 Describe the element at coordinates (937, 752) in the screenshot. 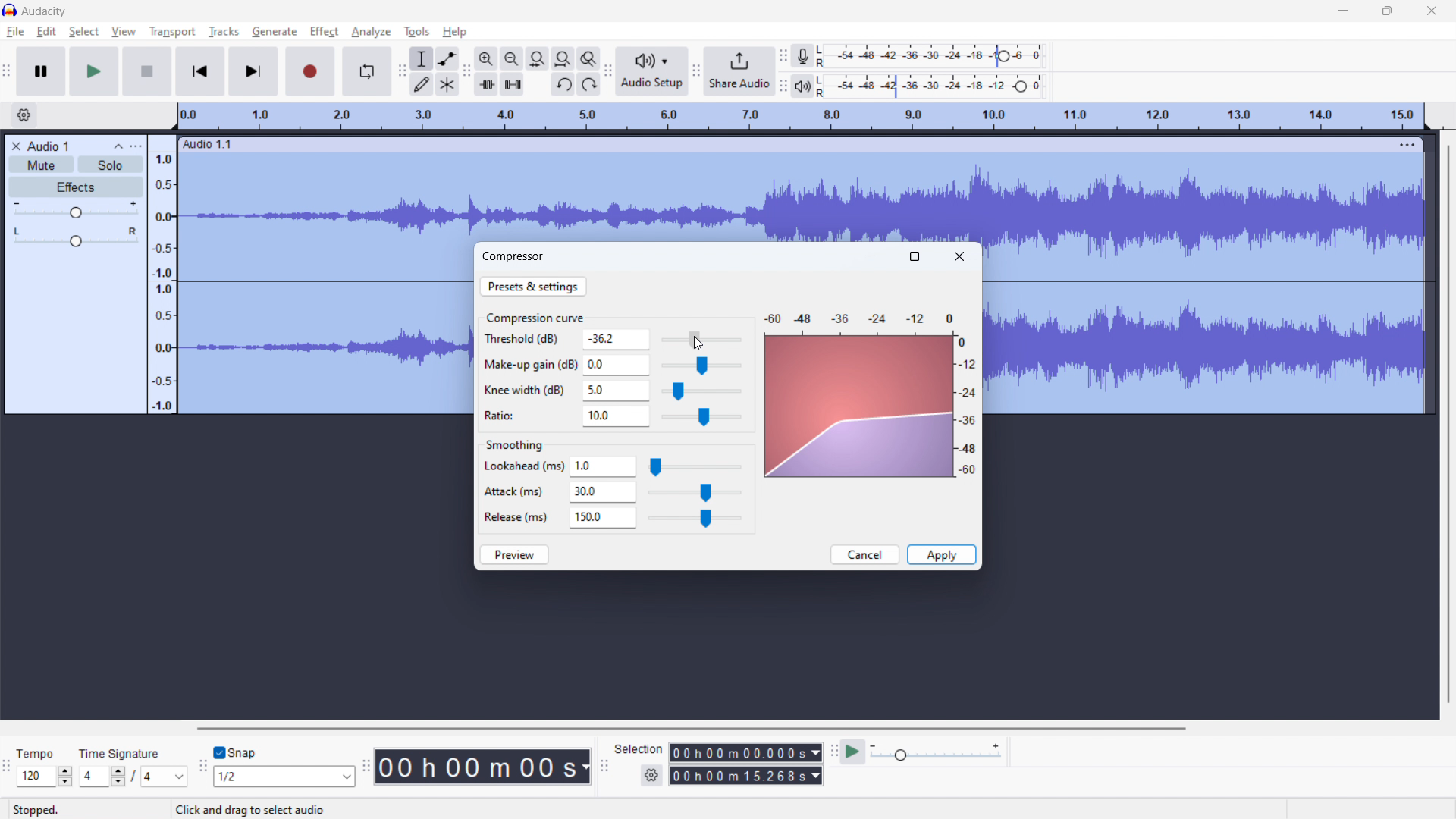

I see `playback speed` at that location.